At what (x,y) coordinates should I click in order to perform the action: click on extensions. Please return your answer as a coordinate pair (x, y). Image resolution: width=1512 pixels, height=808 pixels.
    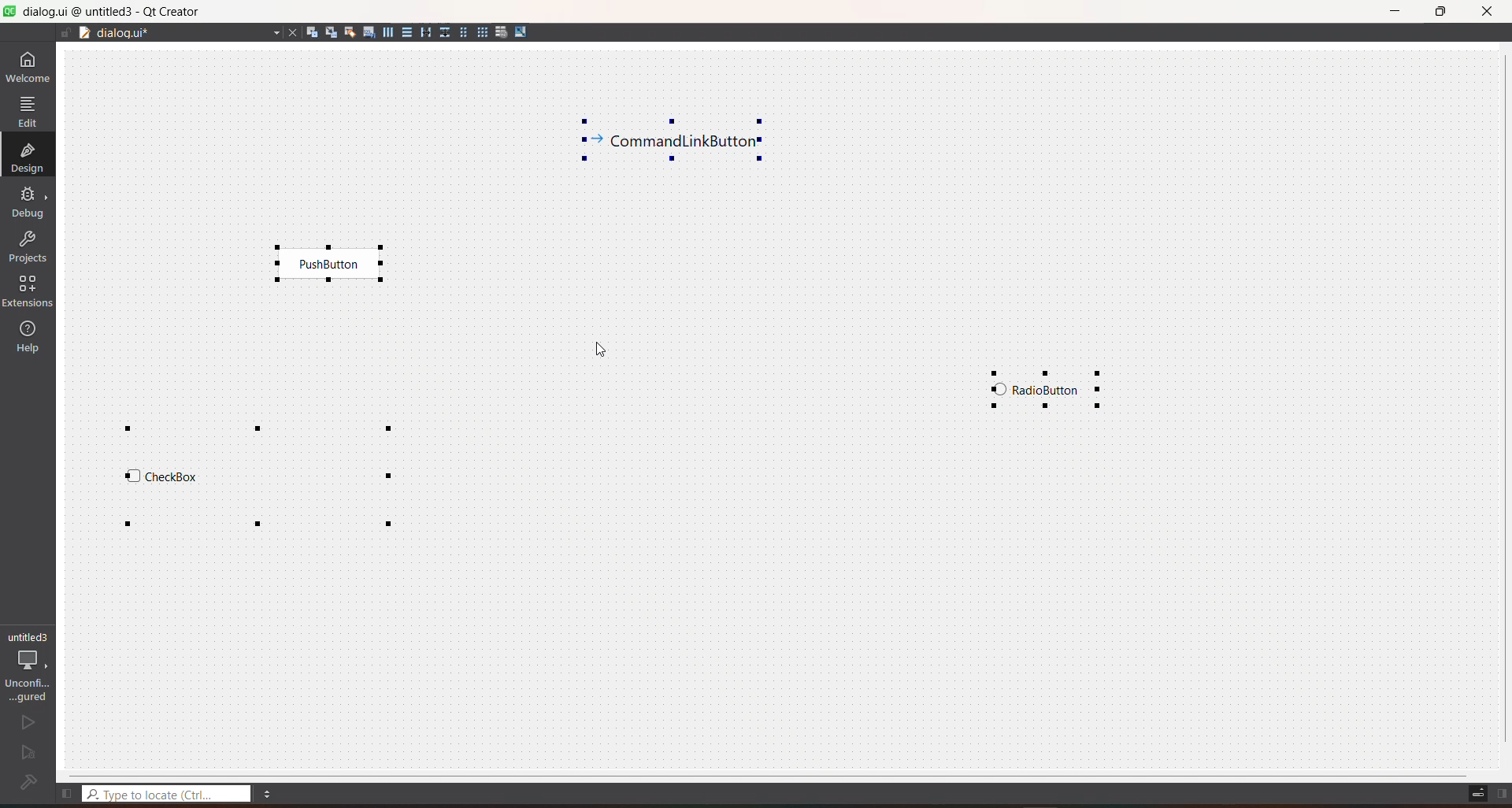
    Looking at the image, I should click on (28, 291).